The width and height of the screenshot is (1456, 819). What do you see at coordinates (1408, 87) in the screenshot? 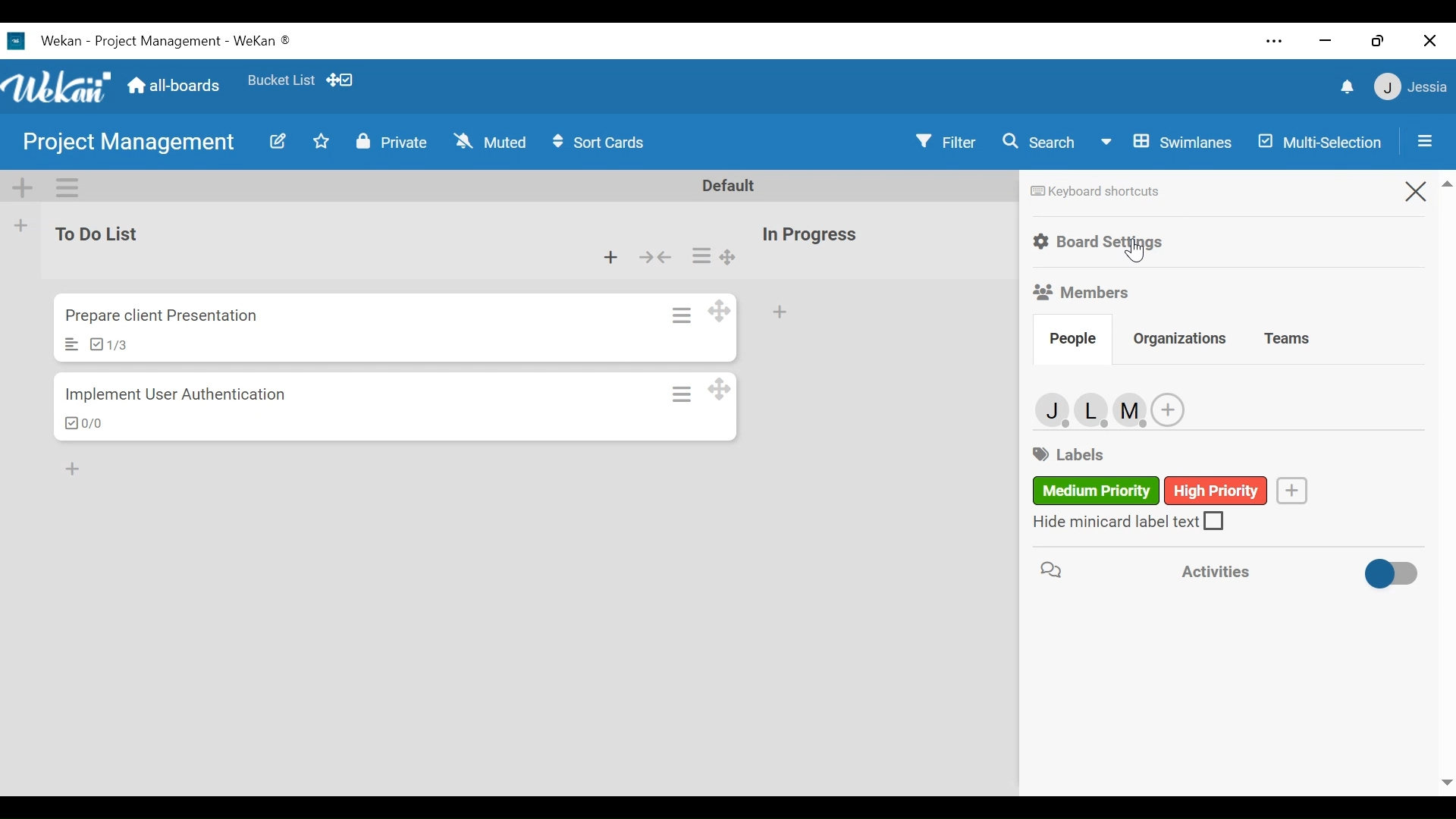
I see `member` at bounding box center [1408, 87].